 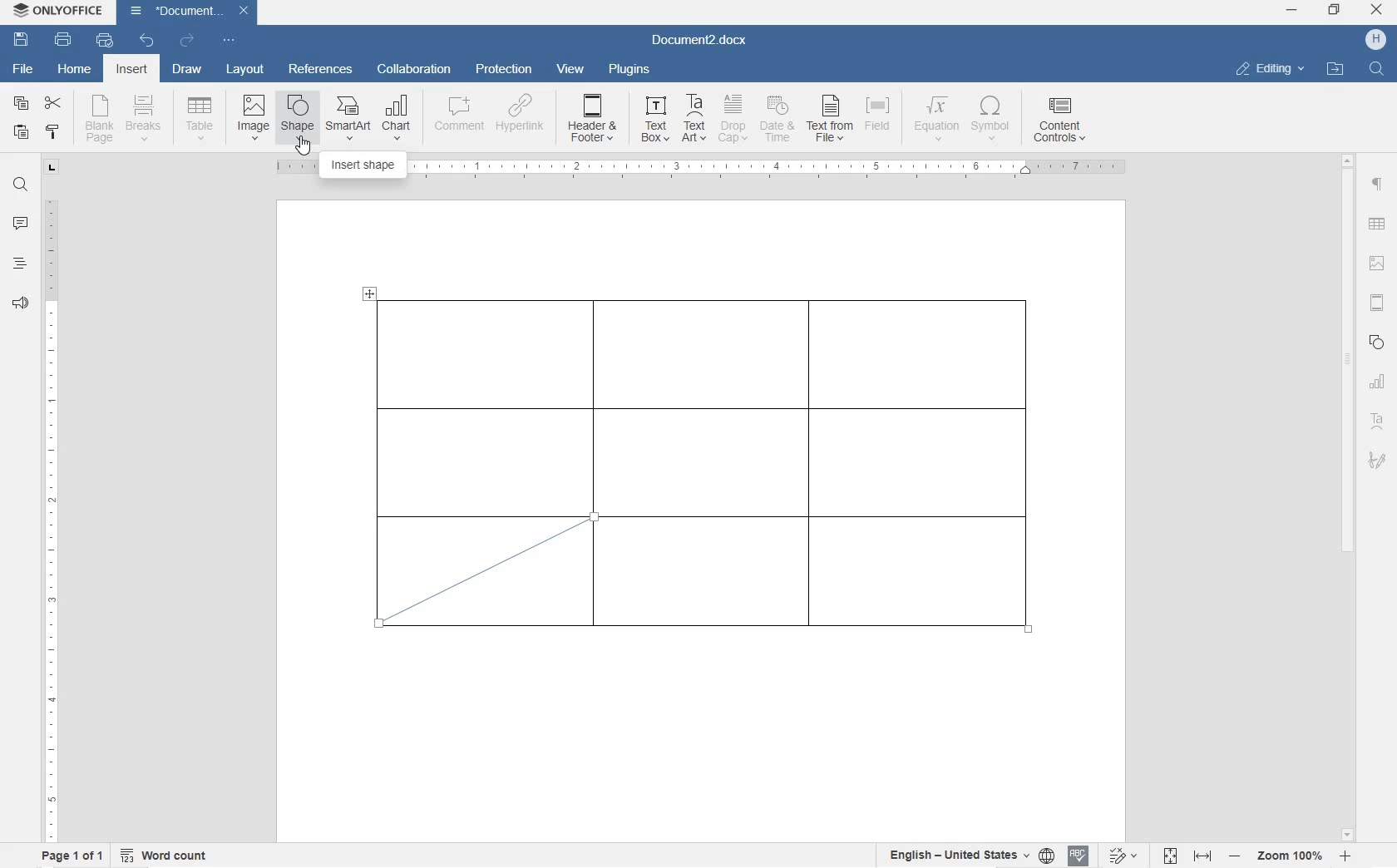 I want to click on diagonal line border drawn, so click(x=485, y=570).